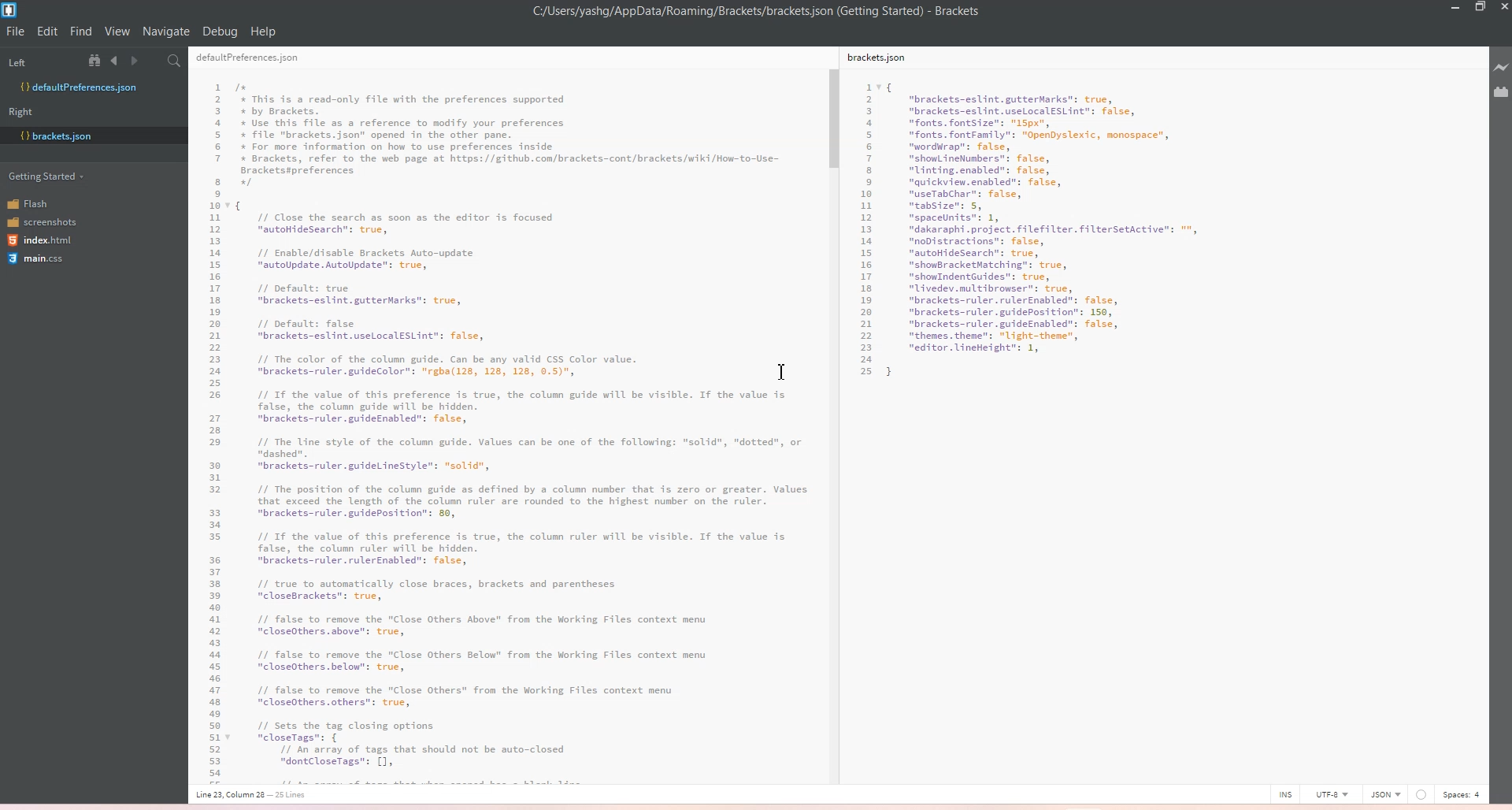  What do you see at coordinates (78, 87) in the screenshot?
I see `Default Preferences.json` at bounding box center [78, 87].